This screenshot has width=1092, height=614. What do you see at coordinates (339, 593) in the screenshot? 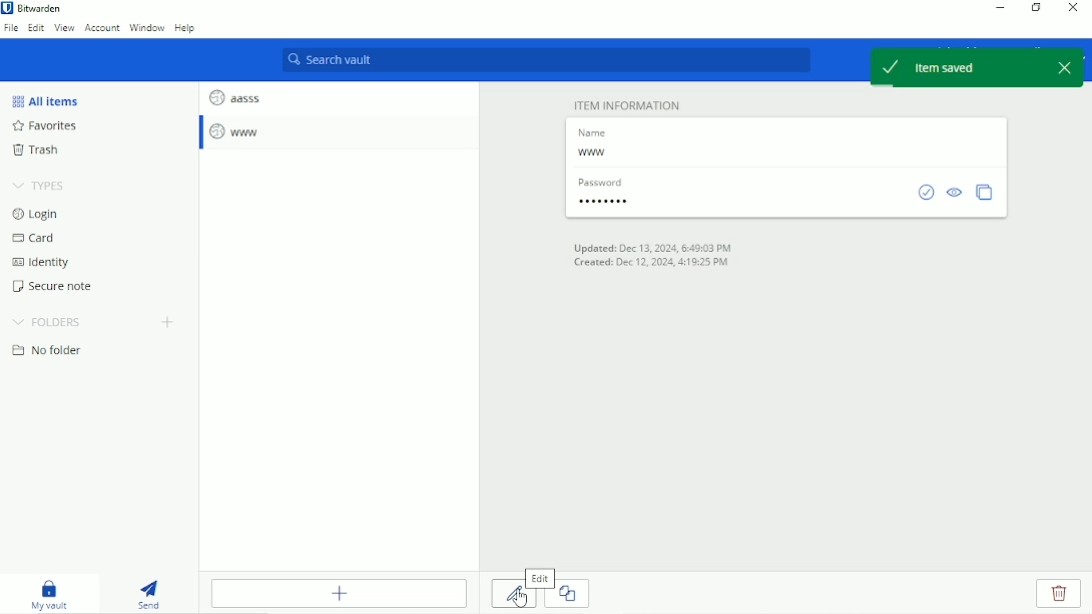
I see `Add item` at bounding box center [339, 593].